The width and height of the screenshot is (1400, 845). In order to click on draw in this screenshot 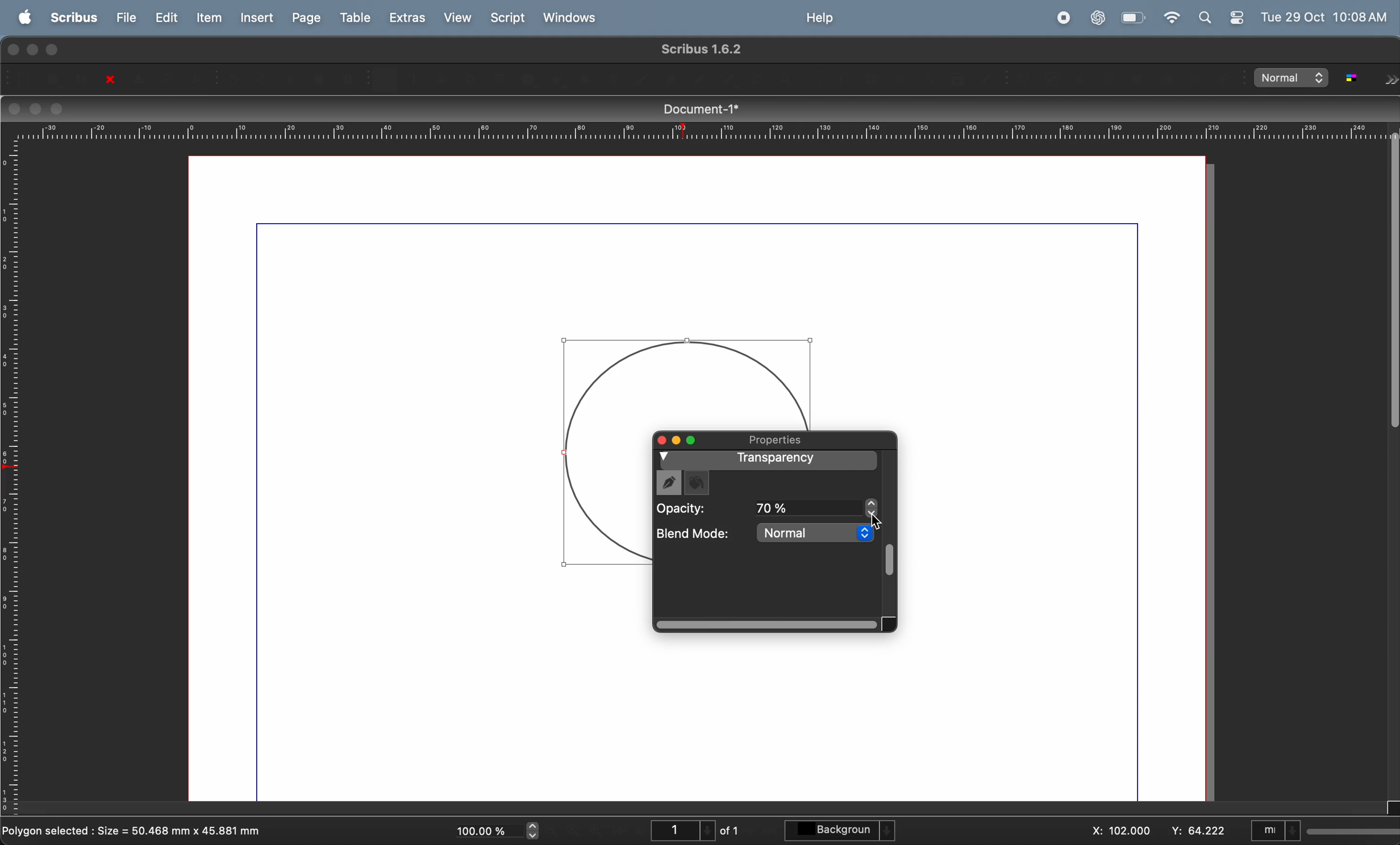, I will do `click(669, 482)`.